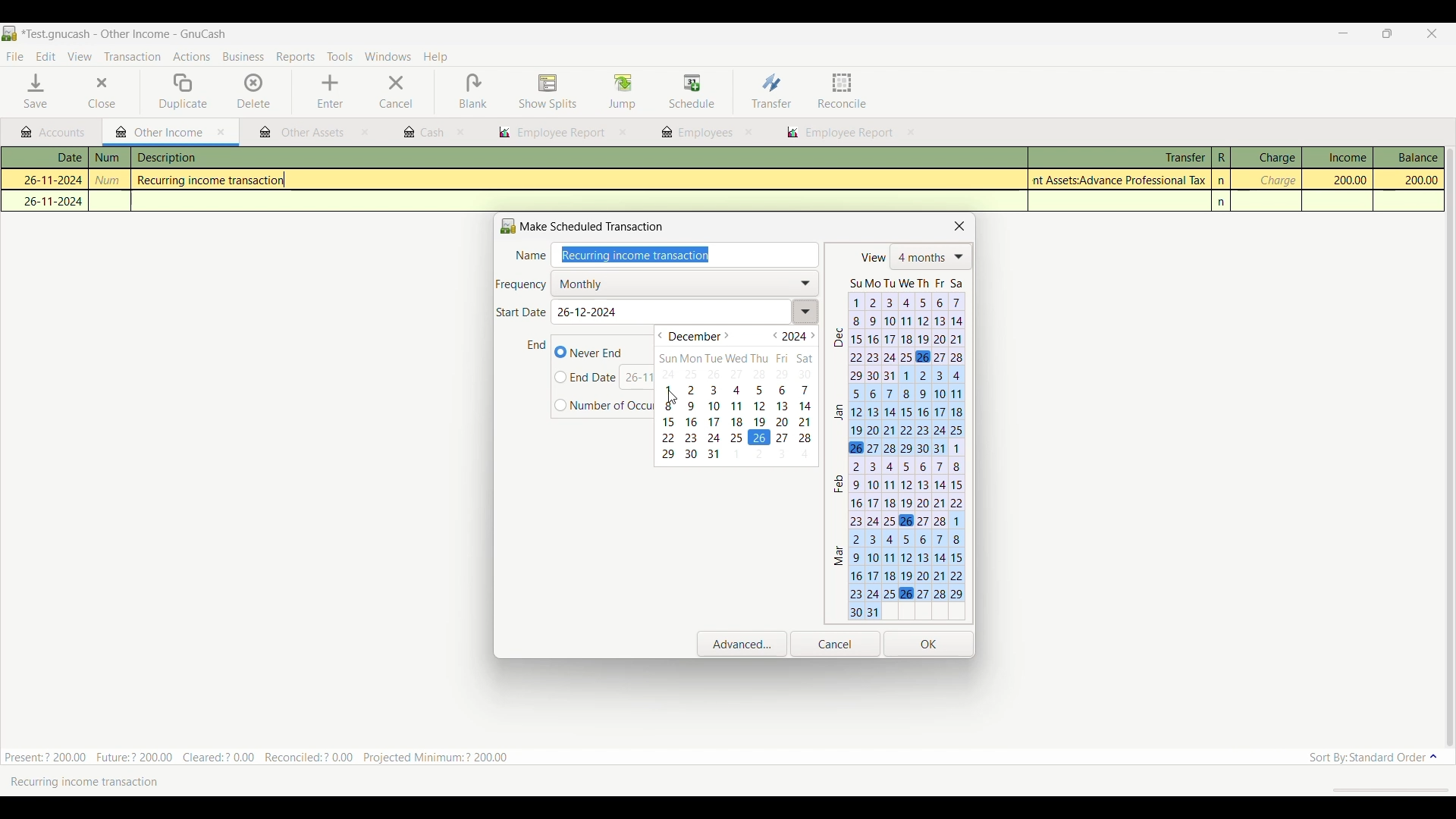 Image resolution: width=1456 pixels, height=819 pixels. I want to click on Income column, so click(1337, 157).